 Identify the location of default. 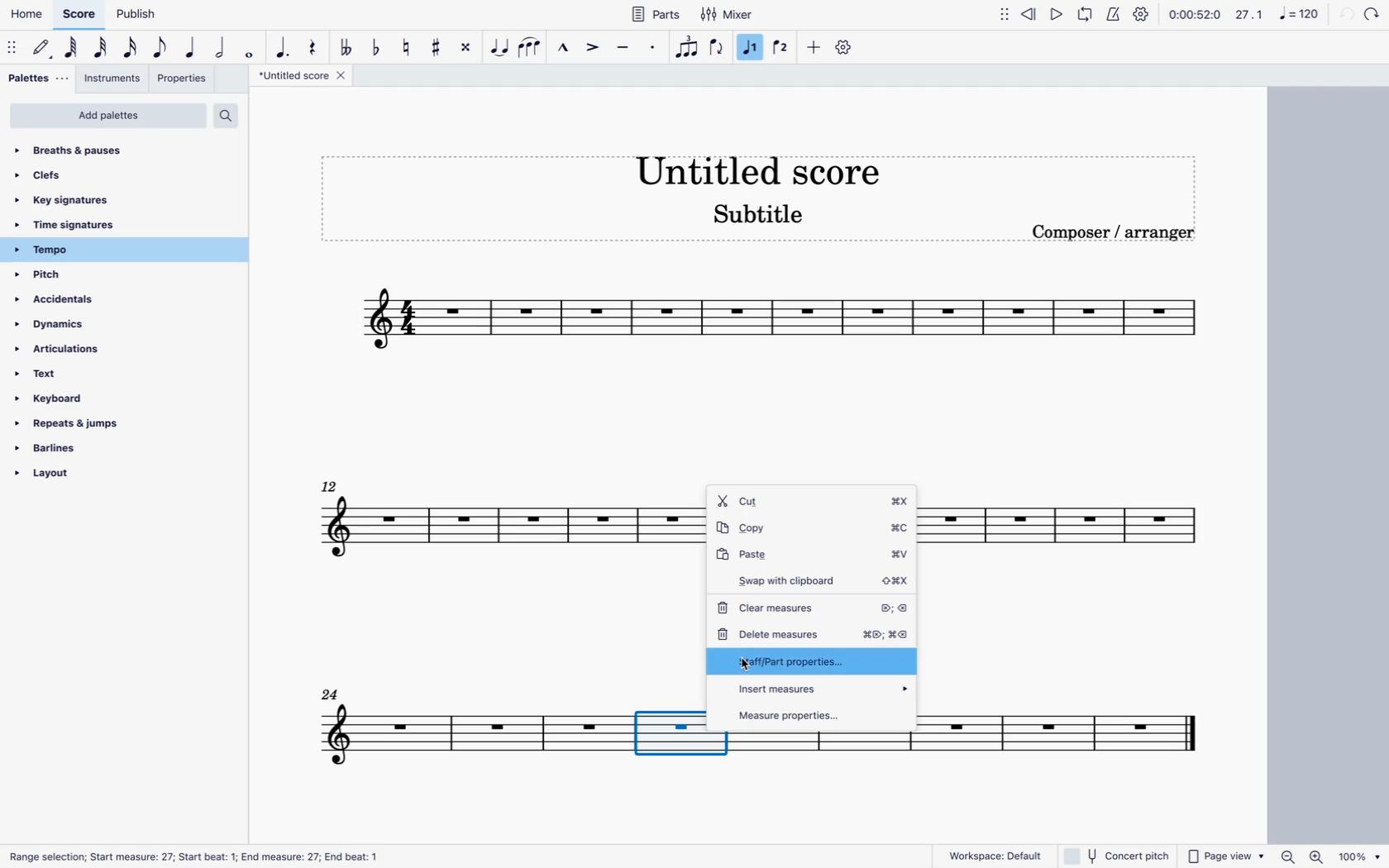
(43, 46).